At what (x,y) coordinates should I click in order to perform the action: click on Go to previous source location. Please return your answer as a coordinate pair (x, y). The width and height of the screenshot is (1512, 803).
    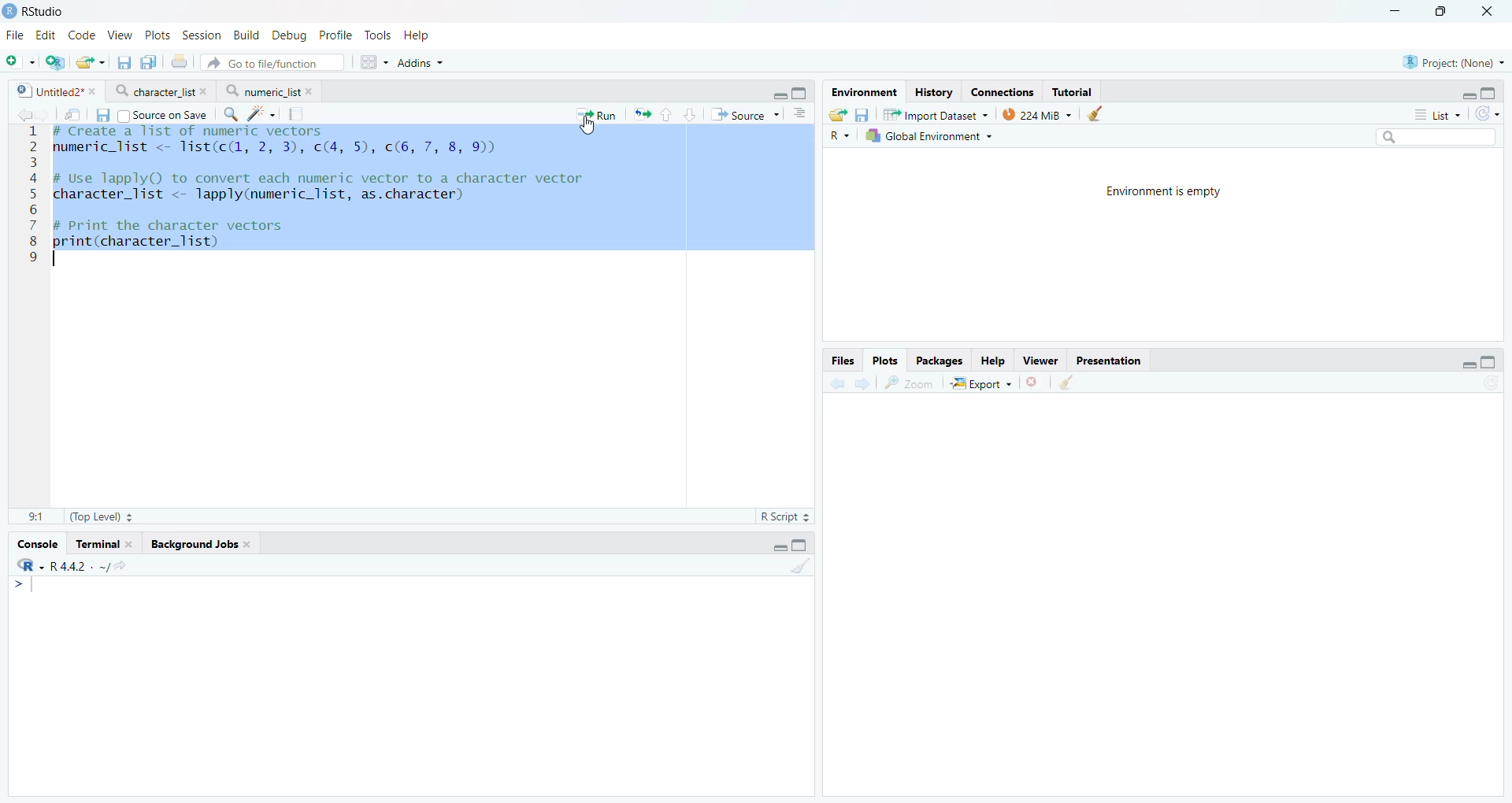
    Looking at the image, I should click on (20, 114).